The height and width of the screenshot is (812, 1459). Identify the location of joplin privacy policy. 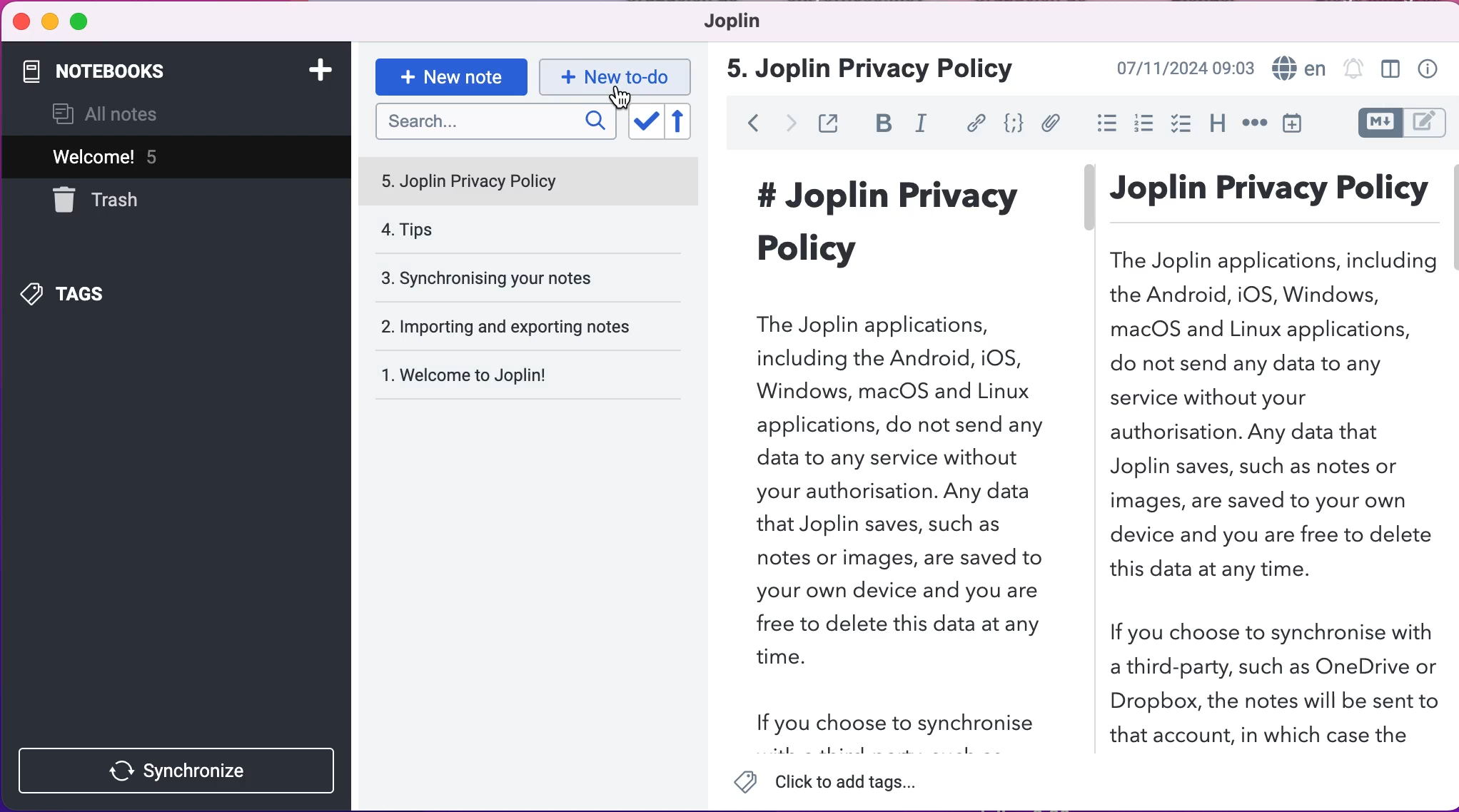
(535, 183).